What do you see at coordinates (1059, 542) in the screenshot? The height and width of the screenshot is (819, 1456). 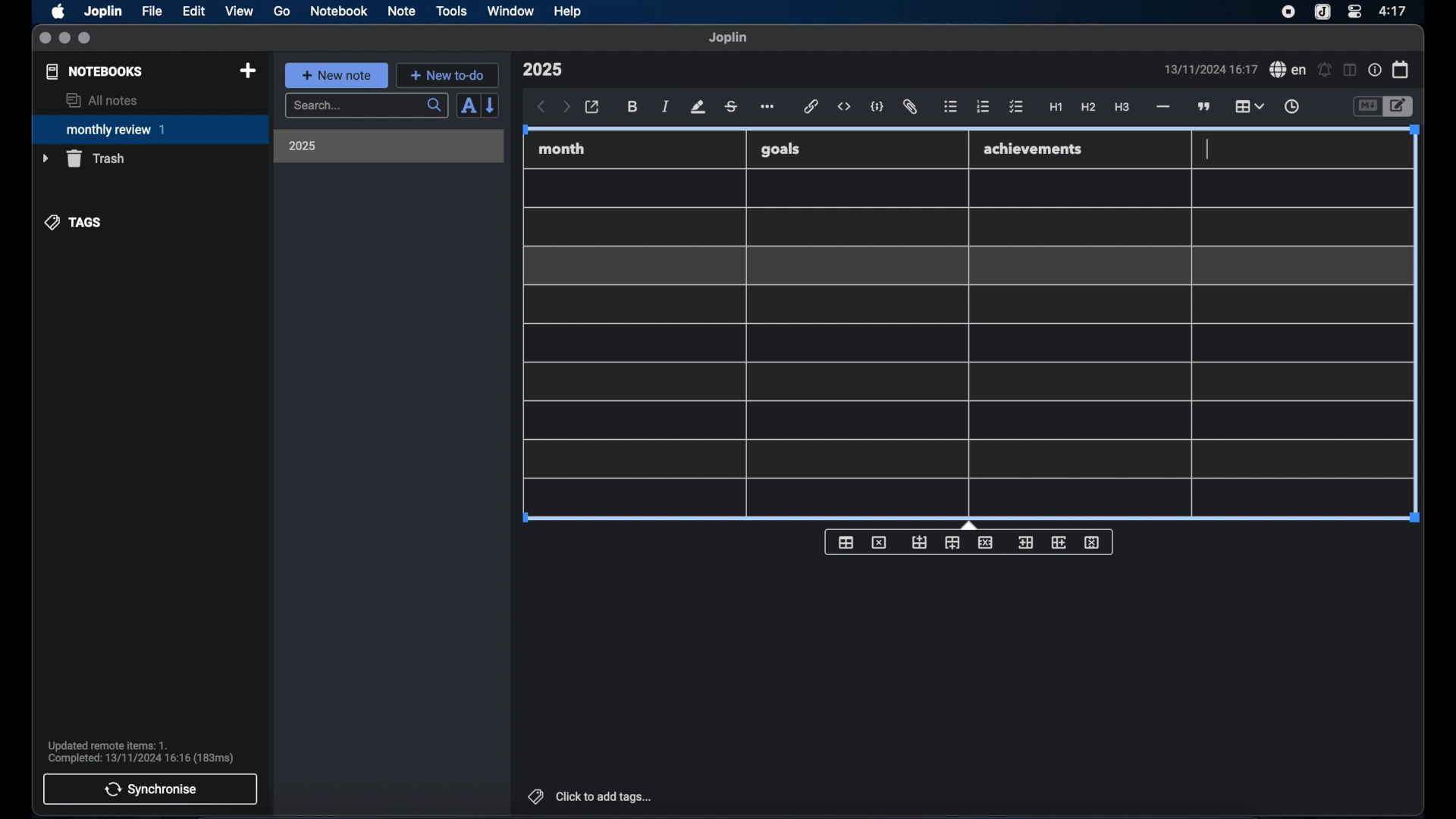 I see `insert column after` at bounding box center [1059, 542].